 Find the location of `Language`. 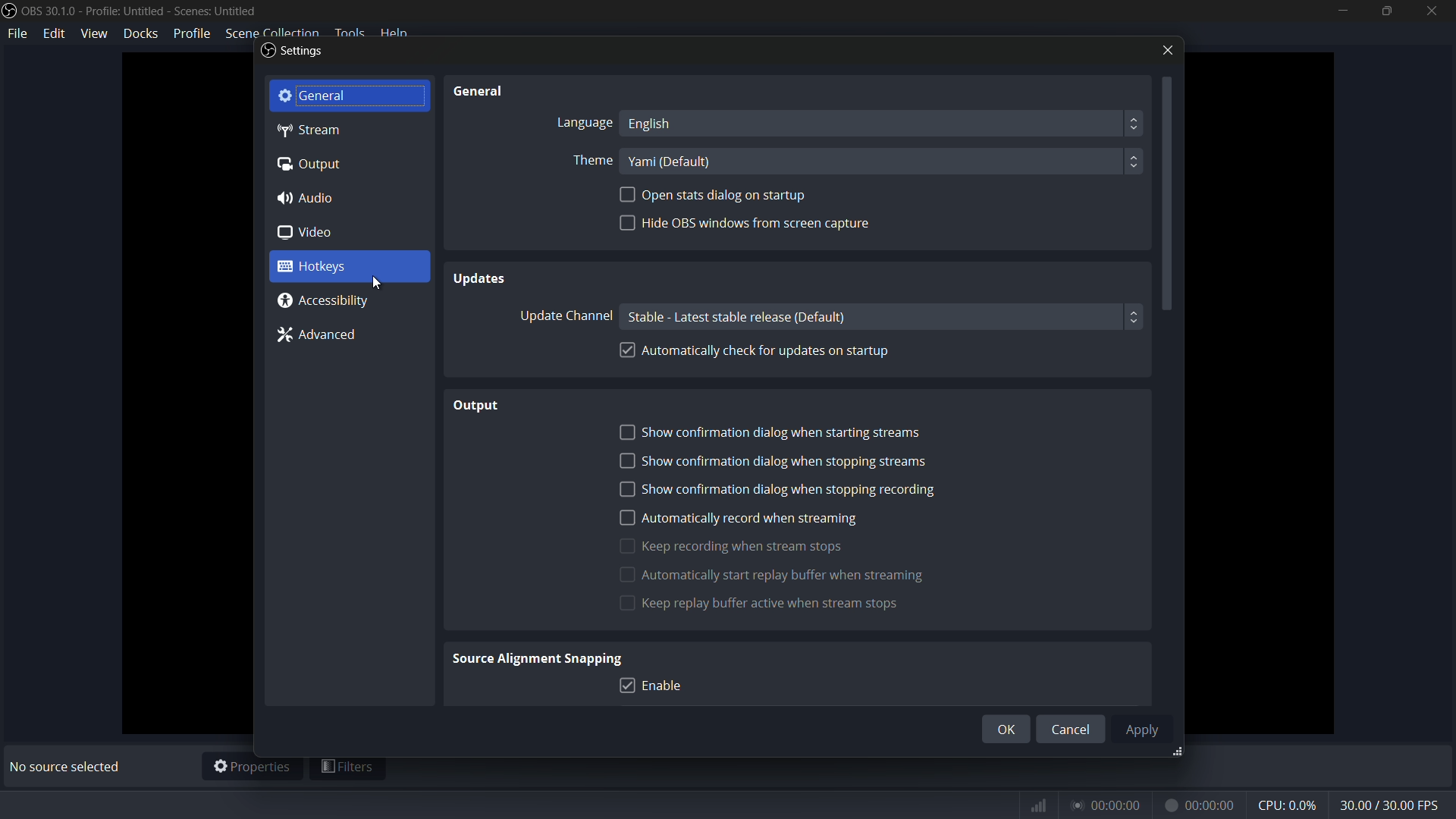

Language is located at coordinates (583, 124).